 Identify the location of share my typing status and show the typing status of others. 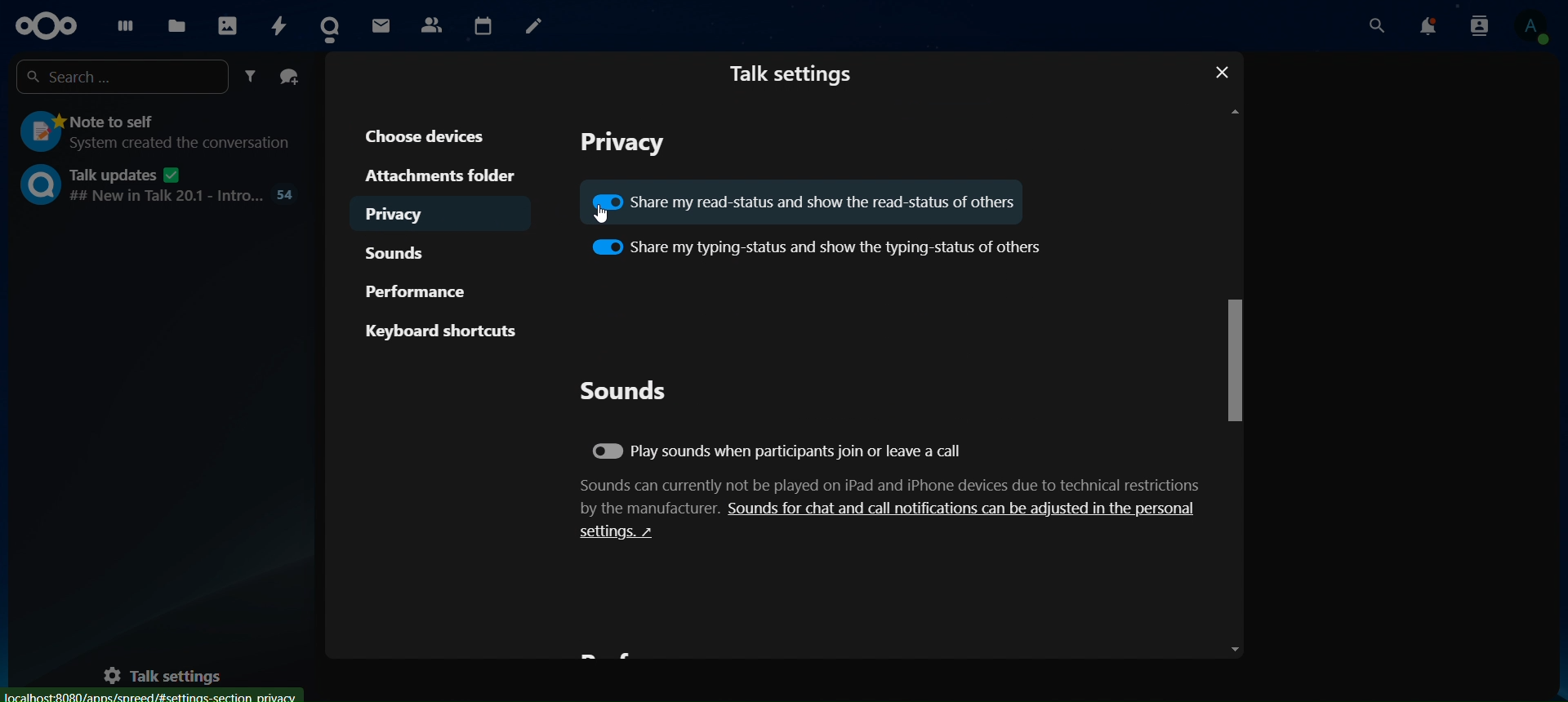
(817, 245).